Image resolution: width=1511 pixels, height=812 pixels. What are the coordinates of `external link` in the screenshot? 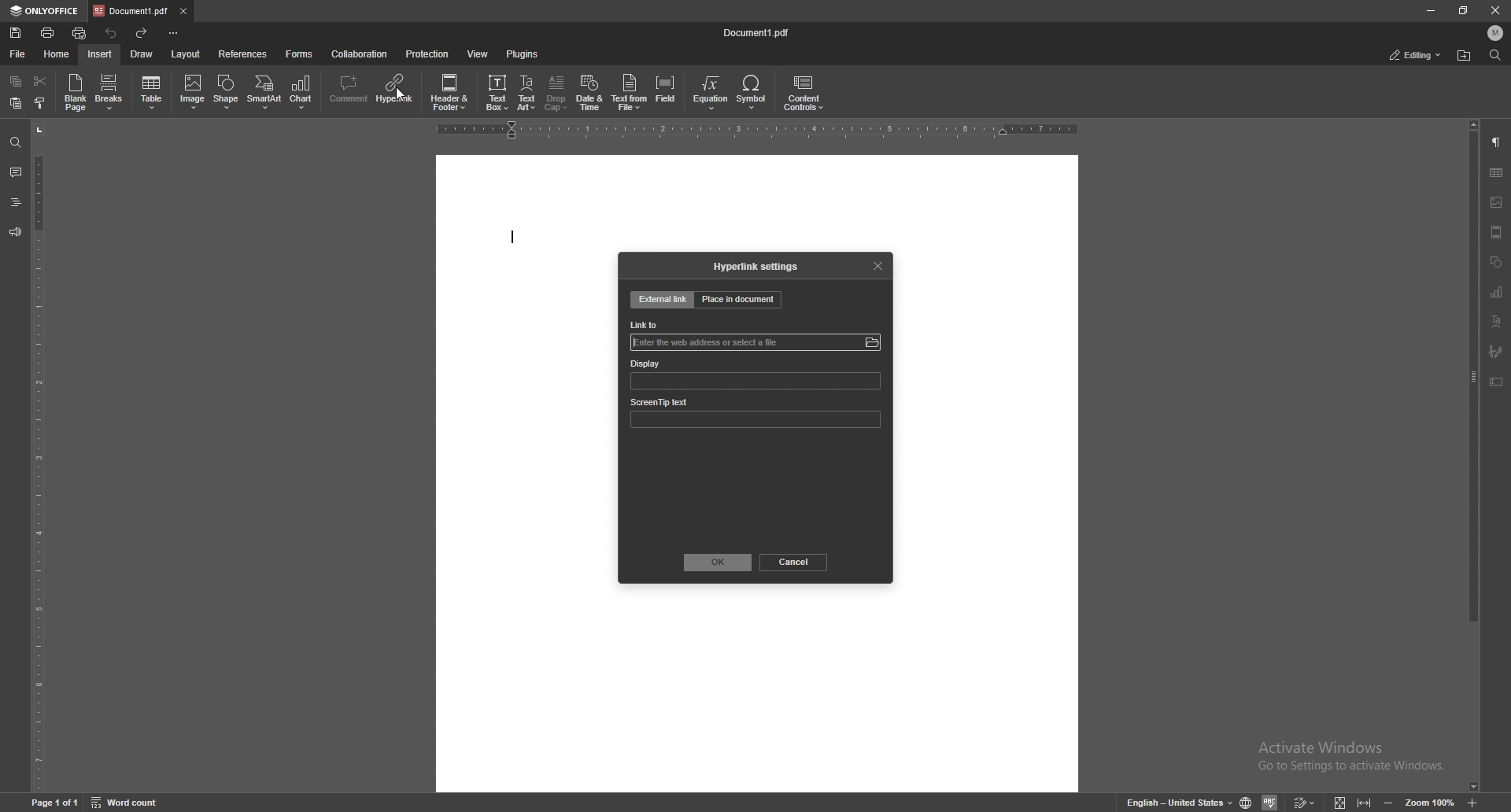 It's located at (663, 300).